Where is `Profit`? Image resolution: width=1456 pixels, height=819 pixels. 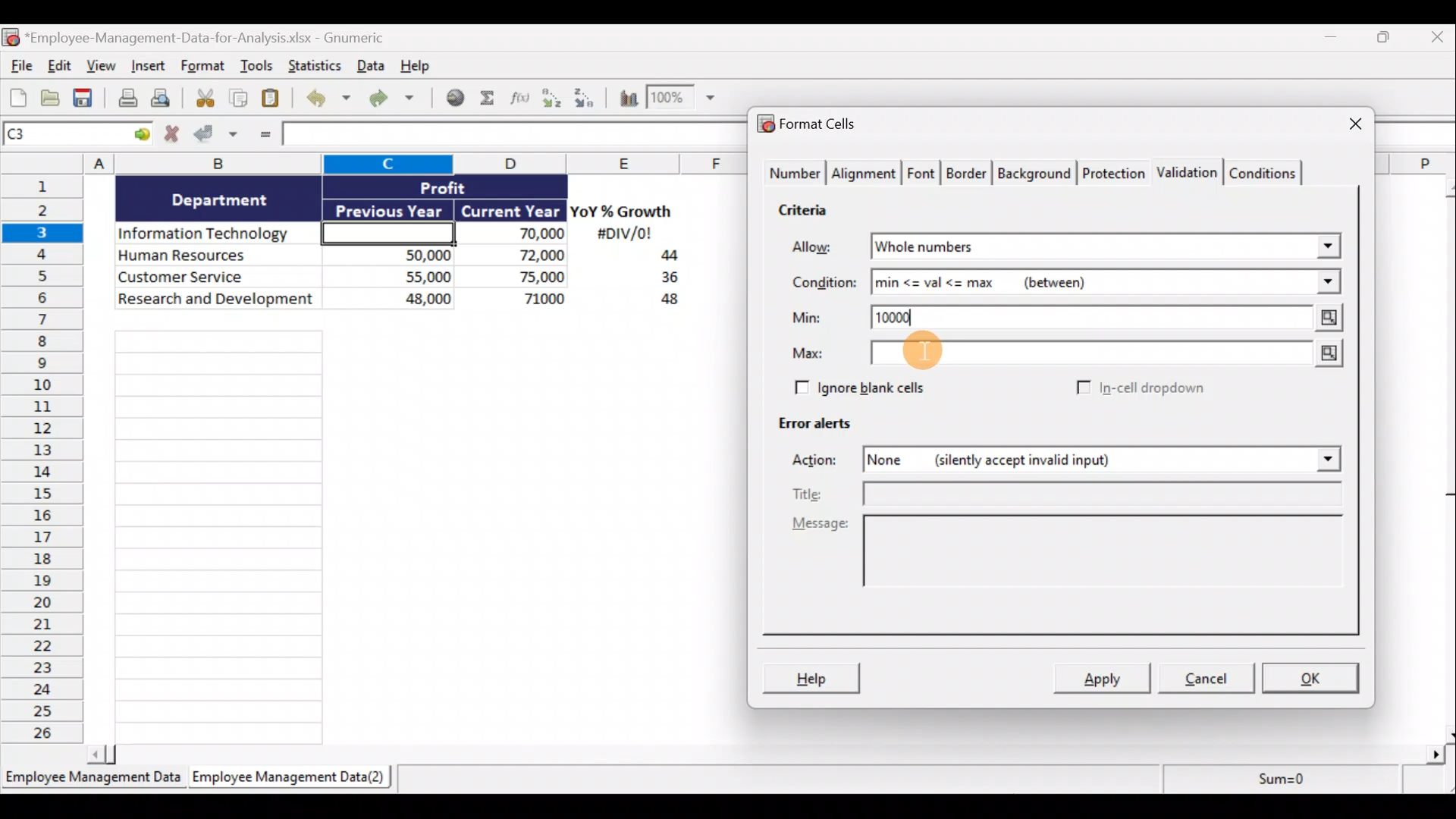 Profit is located at coordinates (468, 187).